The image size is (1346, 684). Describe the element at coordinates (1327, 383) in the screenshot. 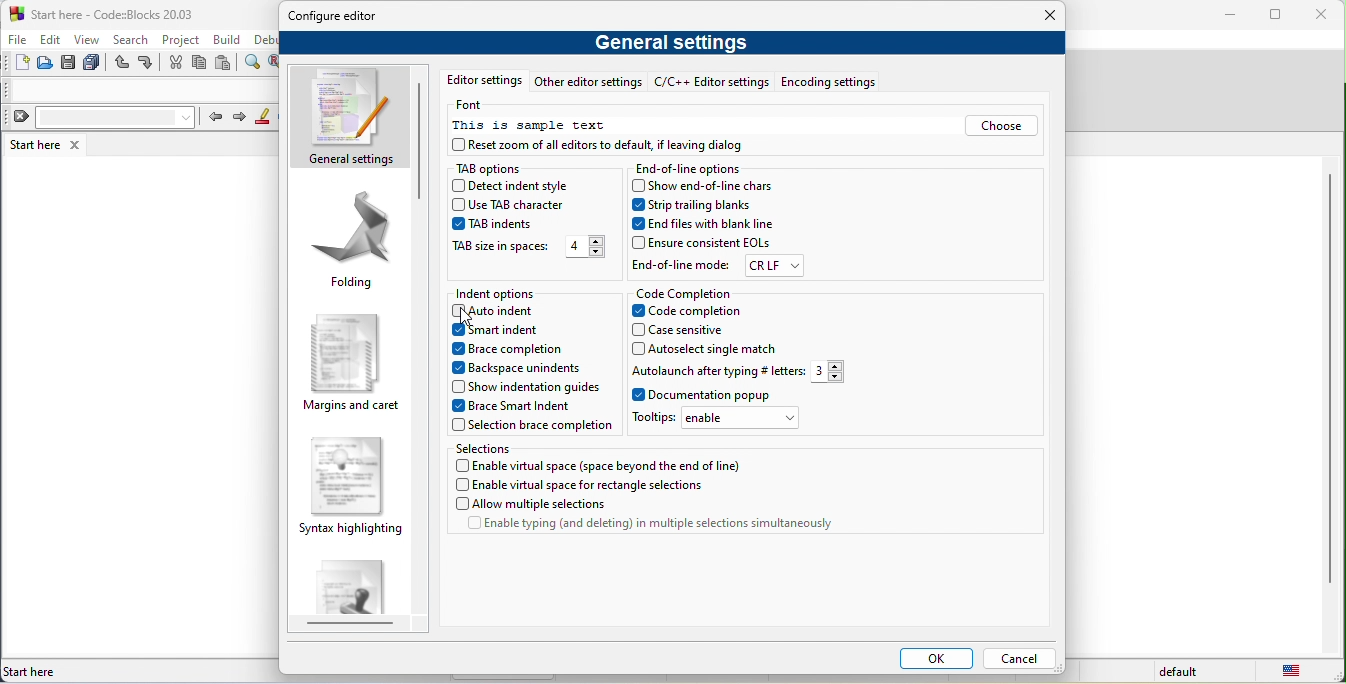

I see `vertical scroll bar` at that location.